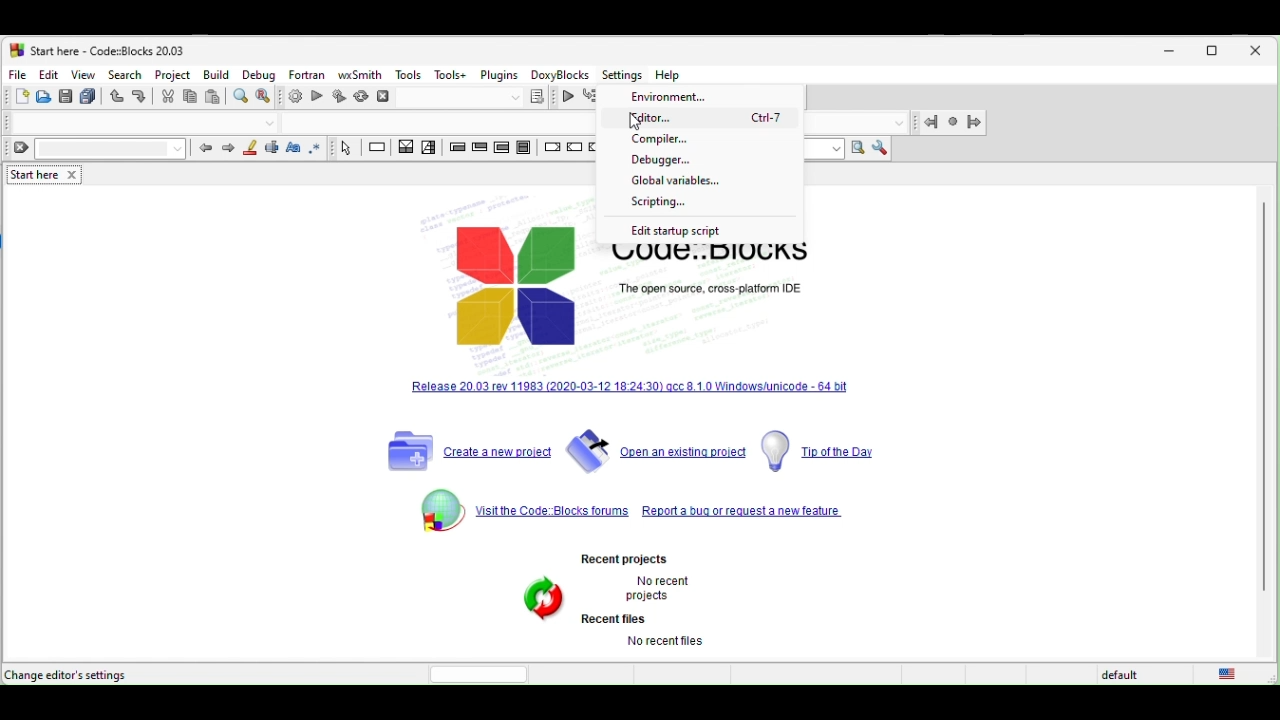 The width and height of the screenshot is (1280, 720). What do you see at coordinates (680, 203) in the screenshot?
I see `scripting` at bounding box center [680, 203].